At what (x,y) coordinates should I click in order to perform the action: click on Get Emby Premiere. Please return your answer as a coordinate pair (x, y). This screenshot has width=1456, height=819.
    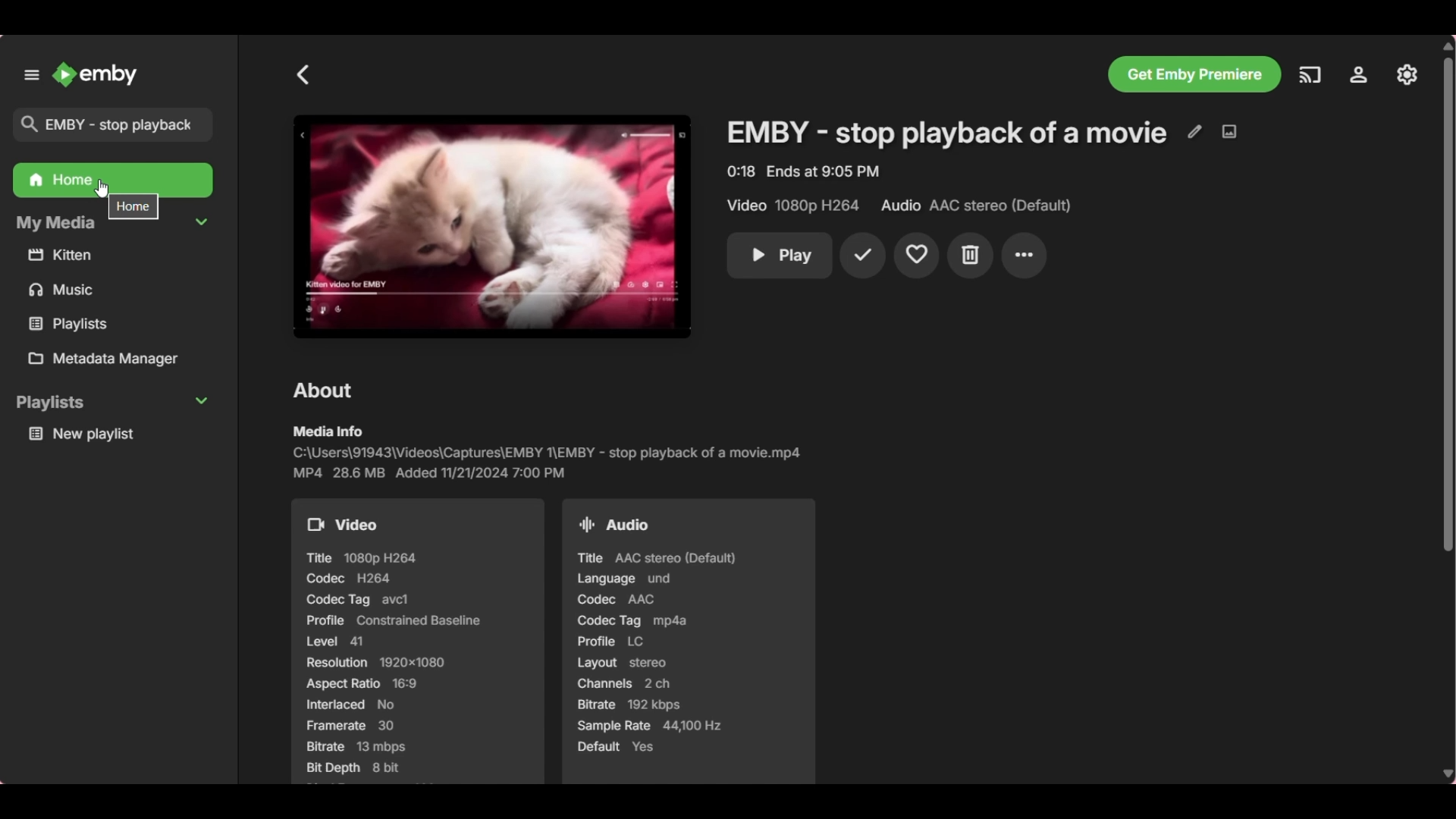
    Looking at the image, I should click on (1194, 74).